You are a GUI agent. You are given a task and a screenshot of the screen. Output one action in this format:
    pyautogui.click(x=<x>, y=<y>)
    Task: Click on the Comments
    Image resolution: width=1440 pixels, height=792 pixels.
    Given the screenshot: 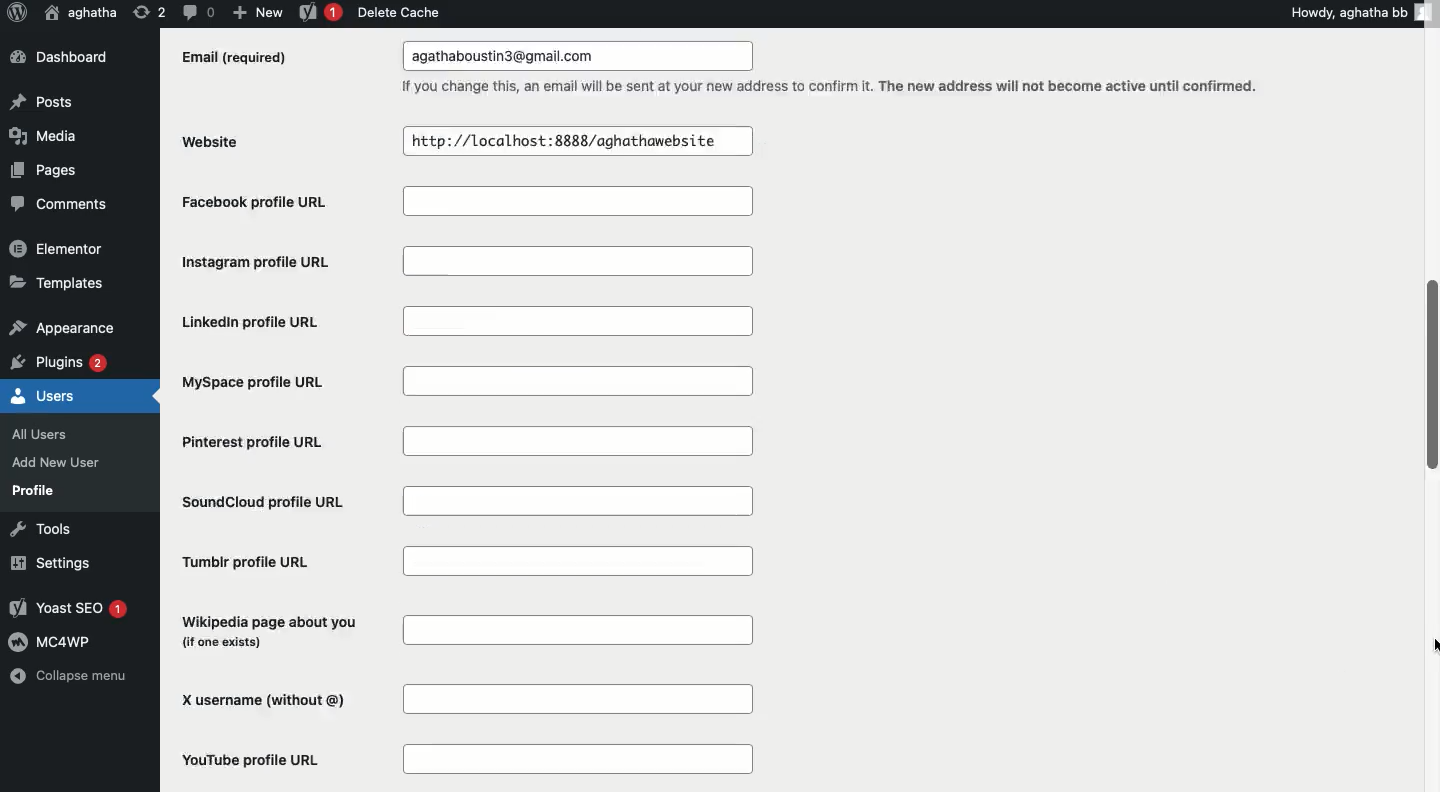 What is the action you would take?
    pyautogui.click(x=60, y=205)
    